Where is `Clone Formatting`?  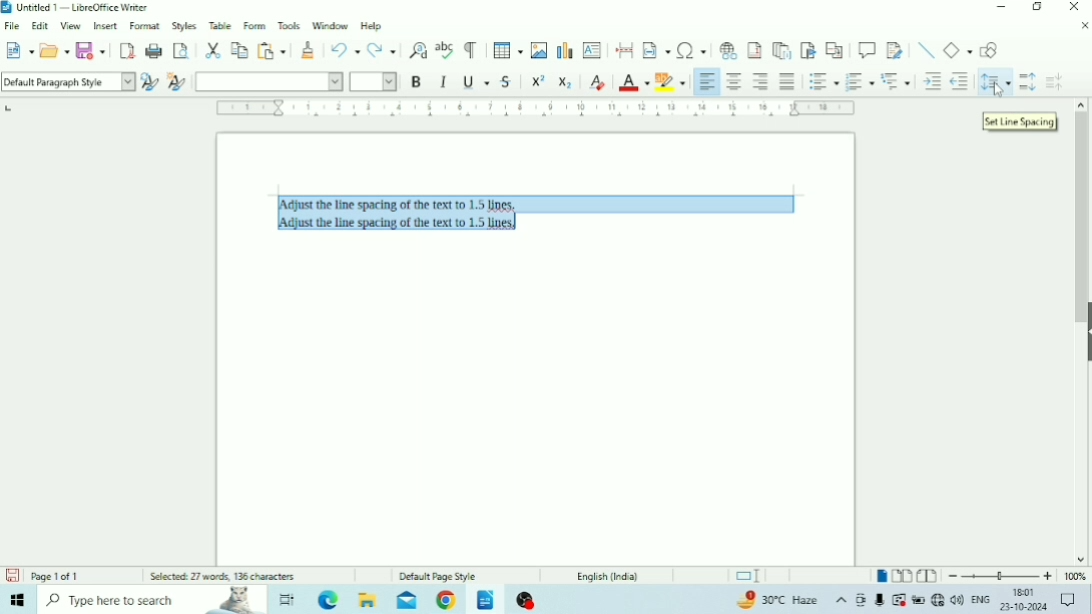
Clone Formatting is located at coordinates (308, 50).